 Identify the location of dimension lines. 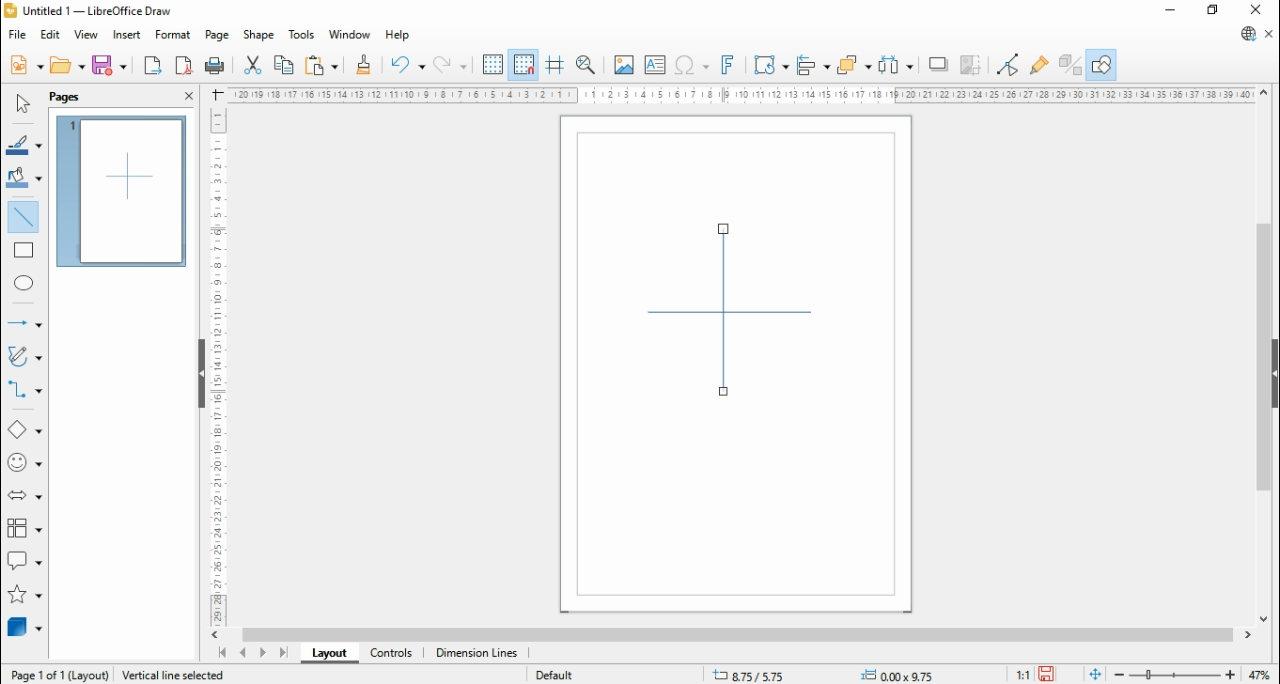
(477, 654).